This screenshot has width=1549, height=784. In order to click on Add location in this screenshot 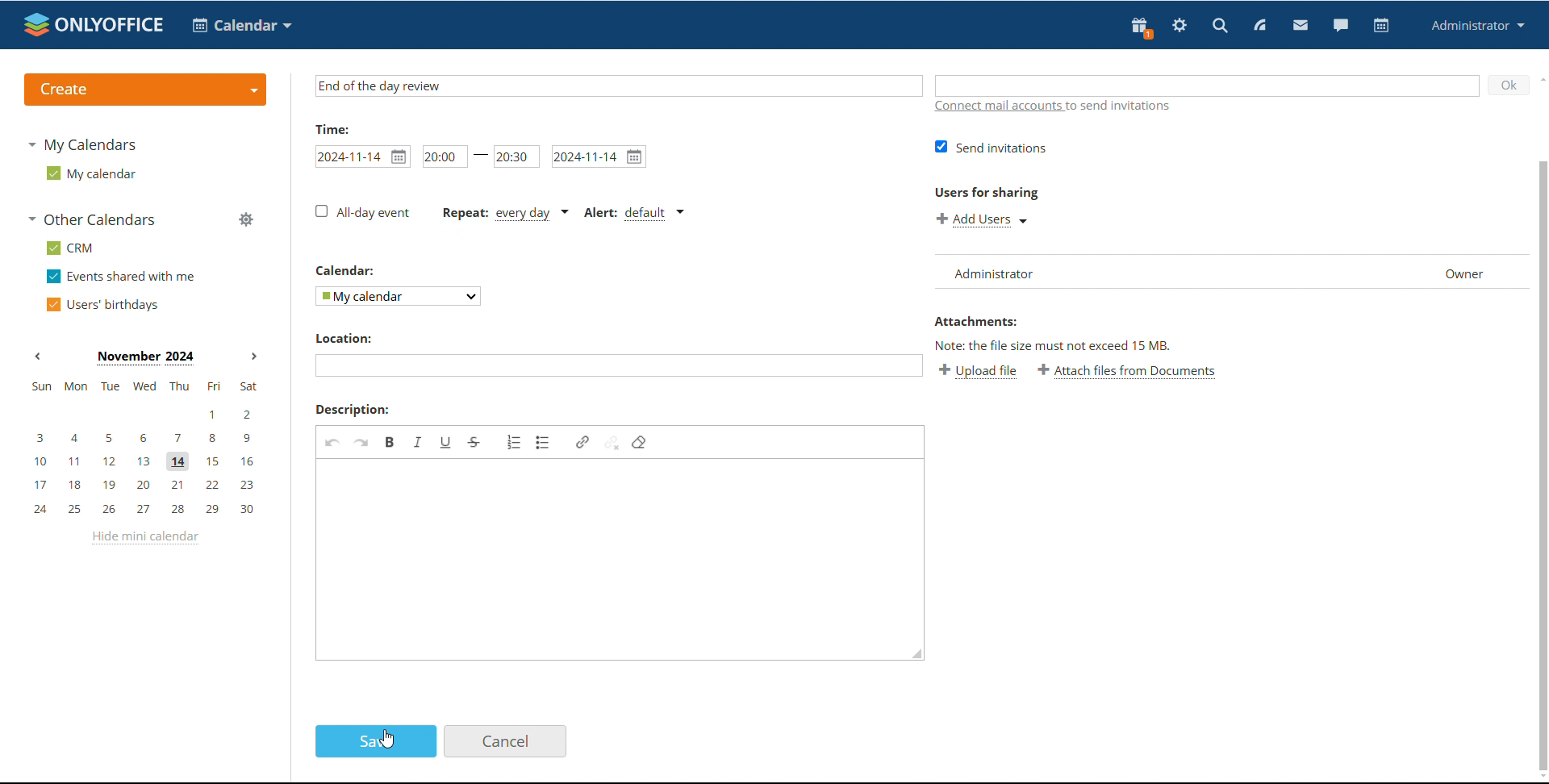, I will do `click(618, 366)`.